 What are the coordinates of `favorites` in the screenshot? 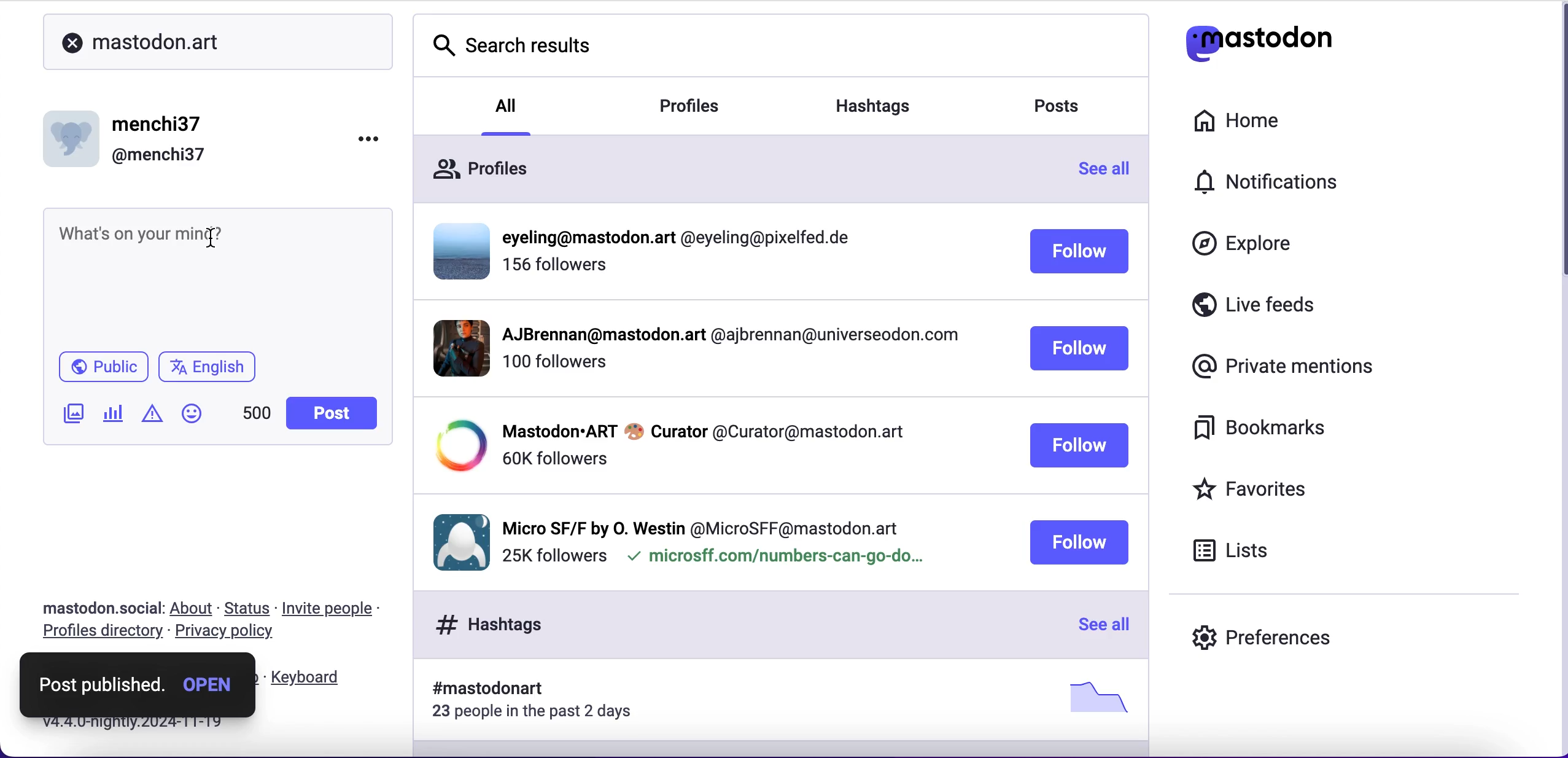 It's located at (1282, 488).